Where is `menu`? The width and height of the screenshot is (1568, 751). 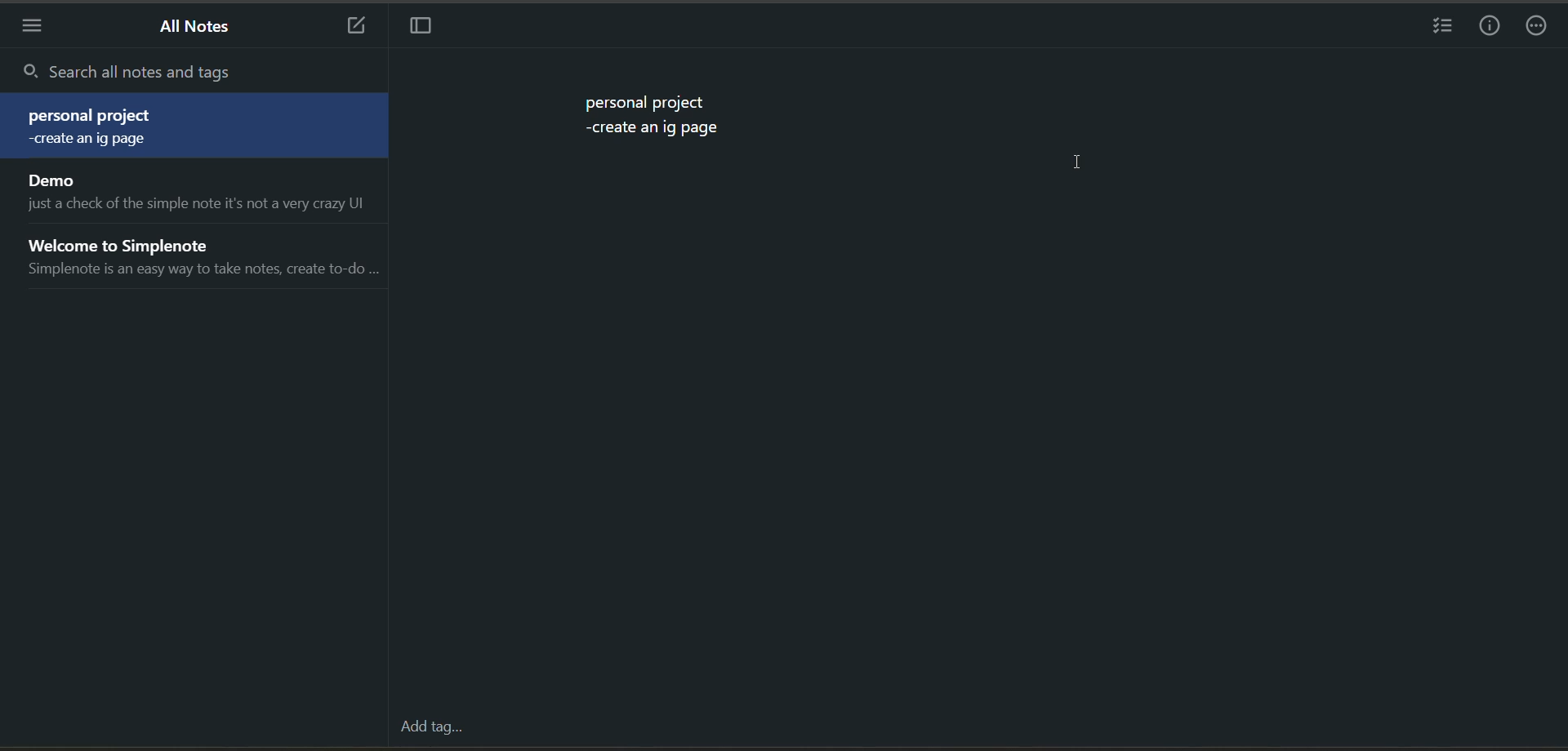 menu is located at coordinates (32, 28).